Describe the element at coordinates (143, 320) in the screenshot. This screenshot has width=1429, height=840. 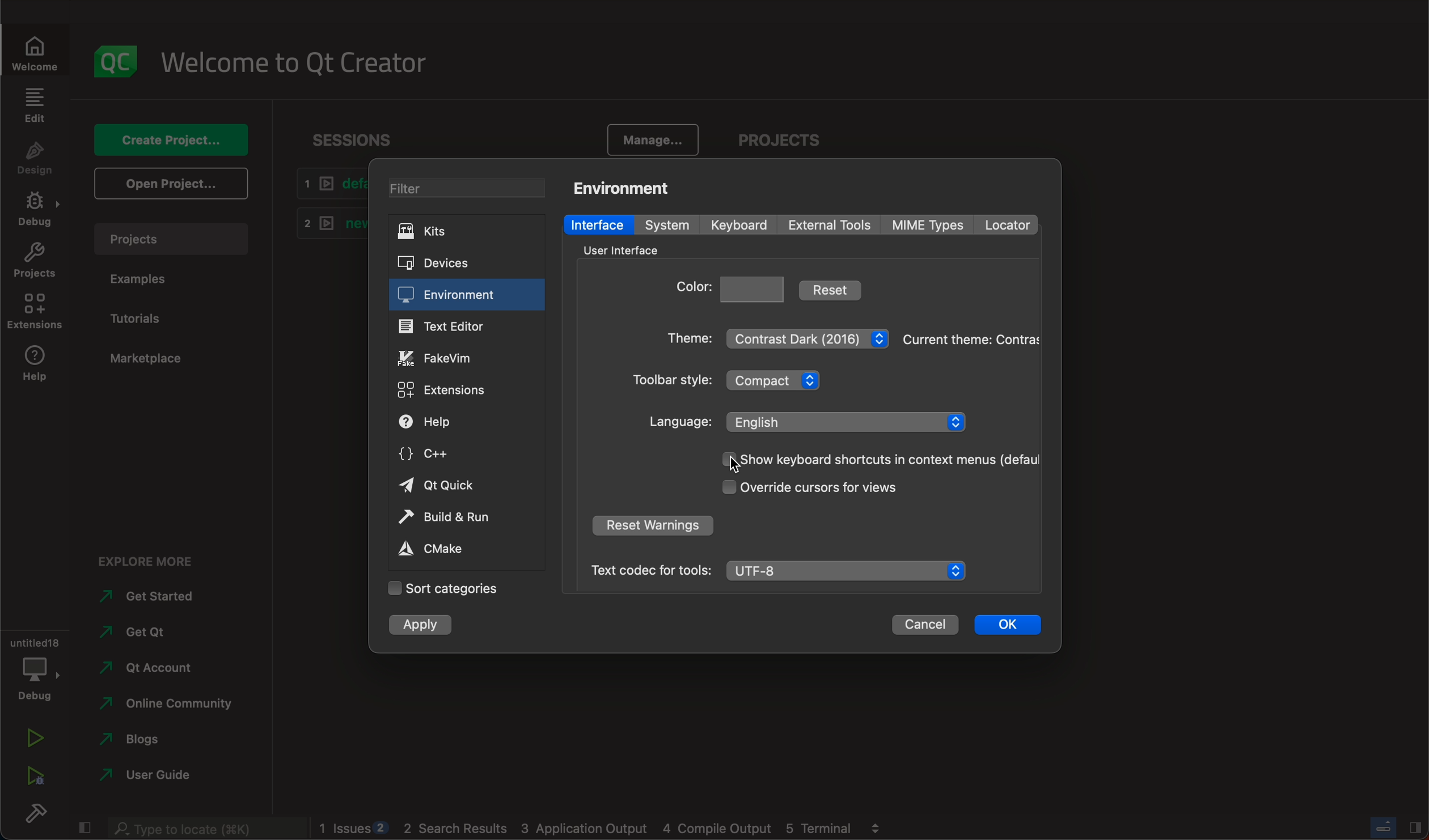
I see `tutorials` at that location.